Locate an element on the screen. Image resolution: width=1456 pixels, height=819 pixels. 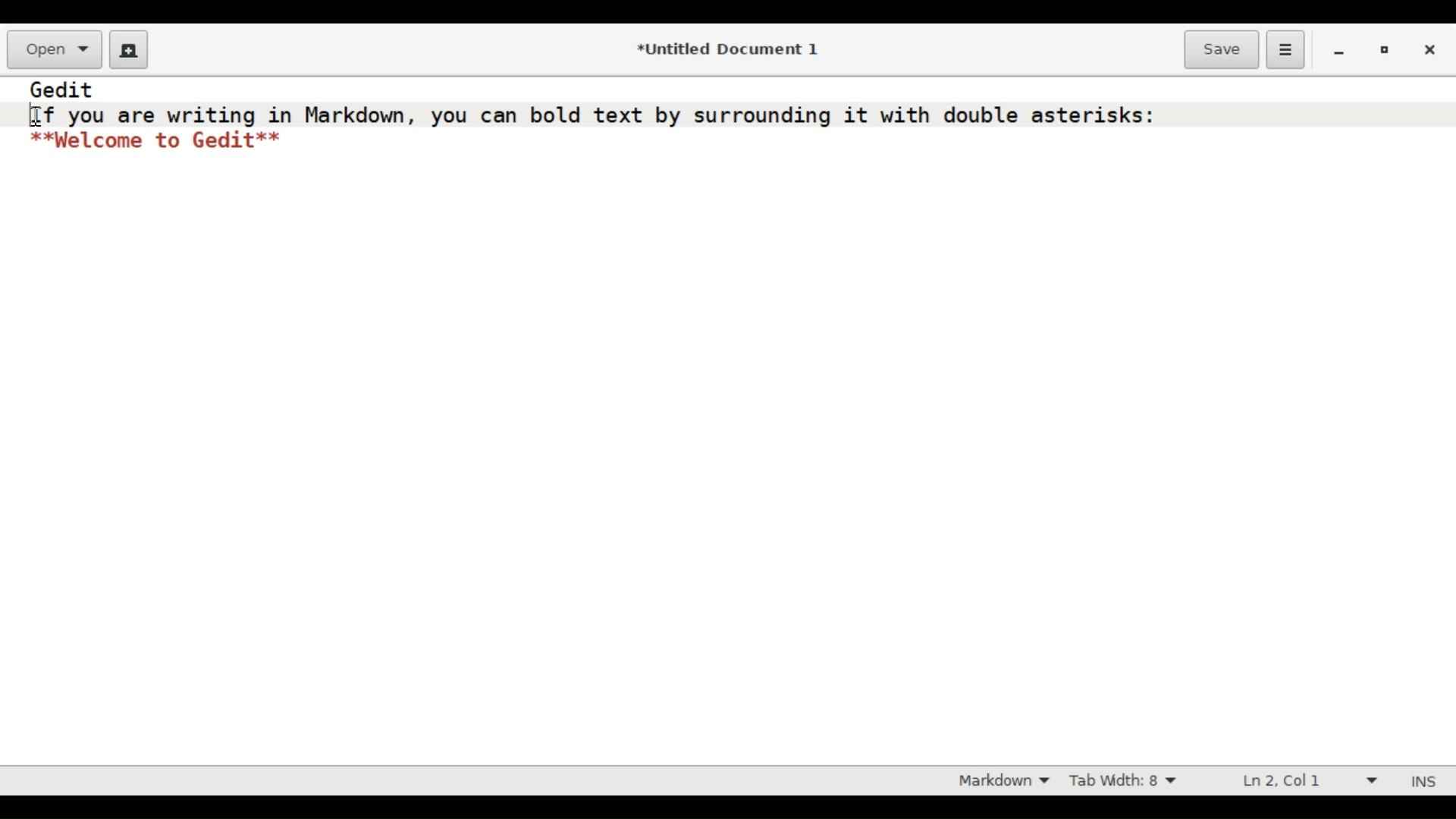
If you are writing in Markdown, you can bold text by surrounding it with double asterisks: is located at coordinates (593, 115).